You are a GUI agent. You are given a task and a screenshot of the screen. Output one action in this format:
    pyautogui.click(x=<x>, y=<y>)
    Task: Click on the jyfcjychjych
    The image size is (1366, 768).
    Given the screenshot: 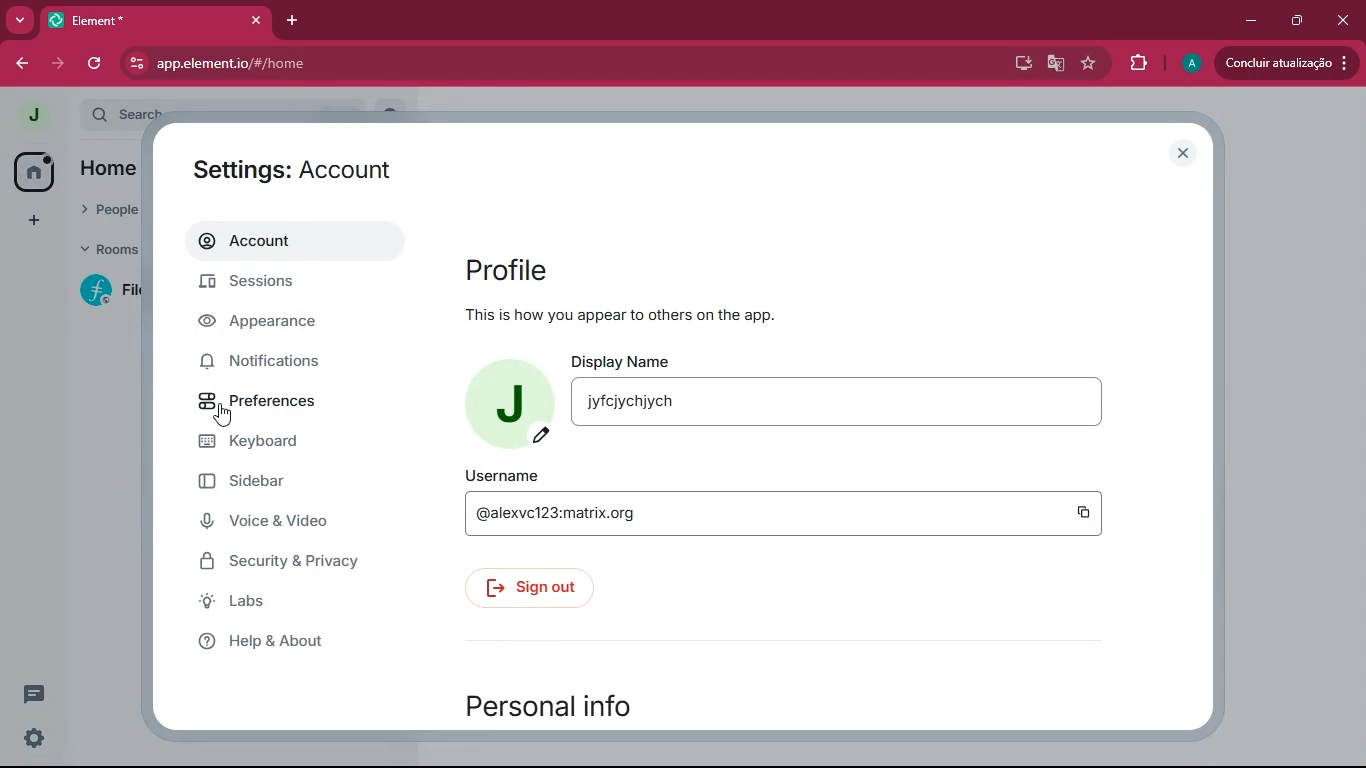 What is the action you would take?
    pyautogui.click(x=837, y=402)
    